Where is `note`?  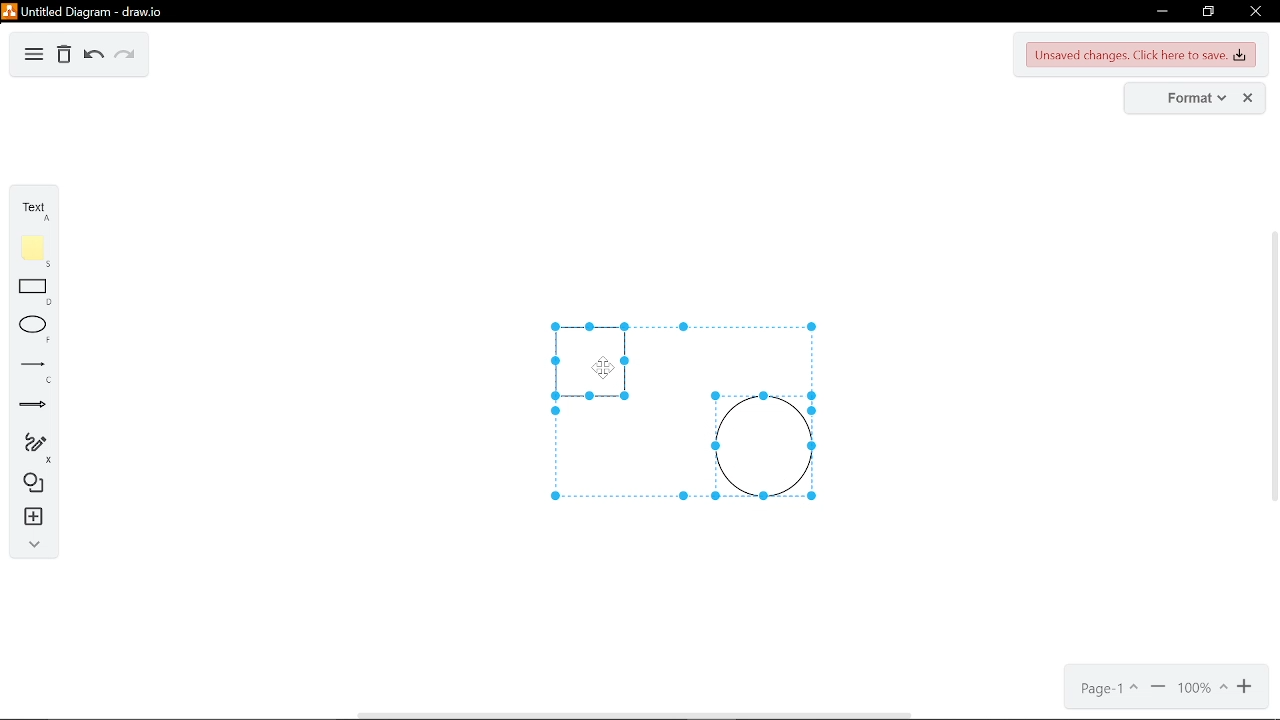 note is located at coordinates (31, 252).